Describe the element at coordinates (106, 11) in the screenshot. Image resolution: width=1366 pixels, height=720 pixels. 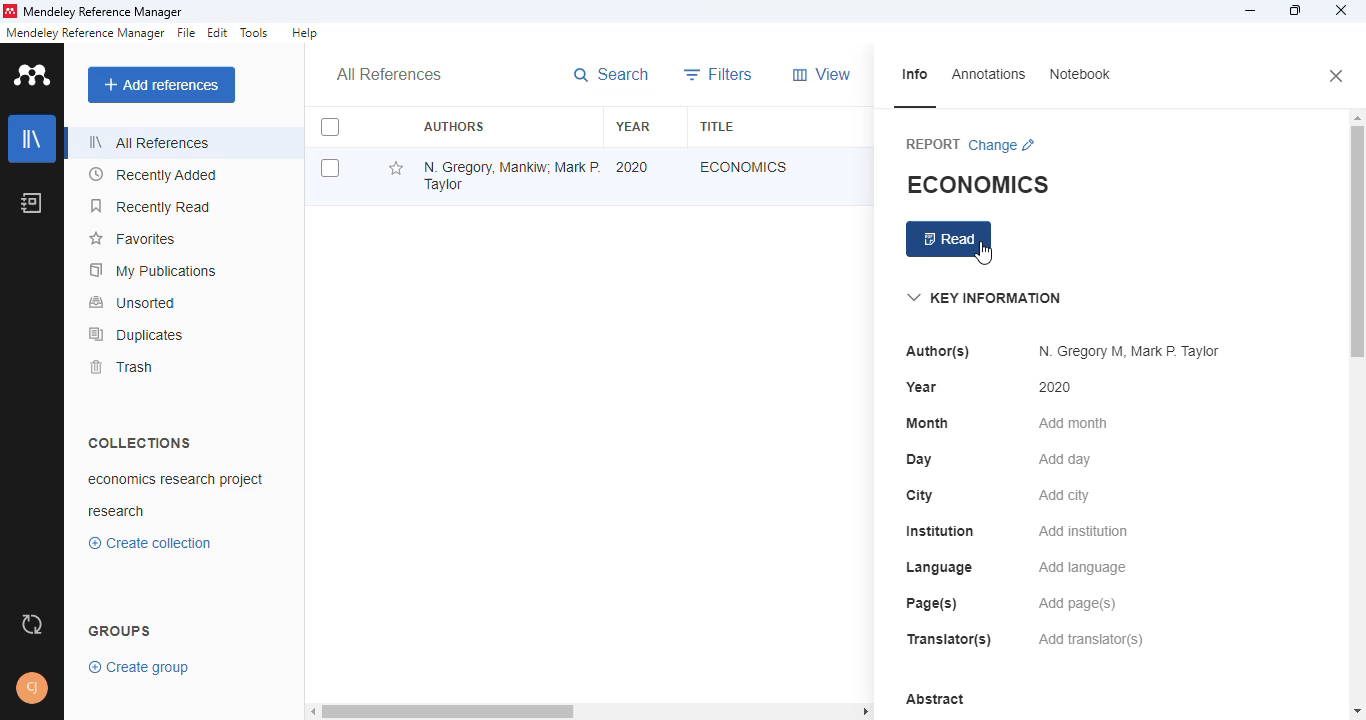
I see `mendeley reference manager` at that location.